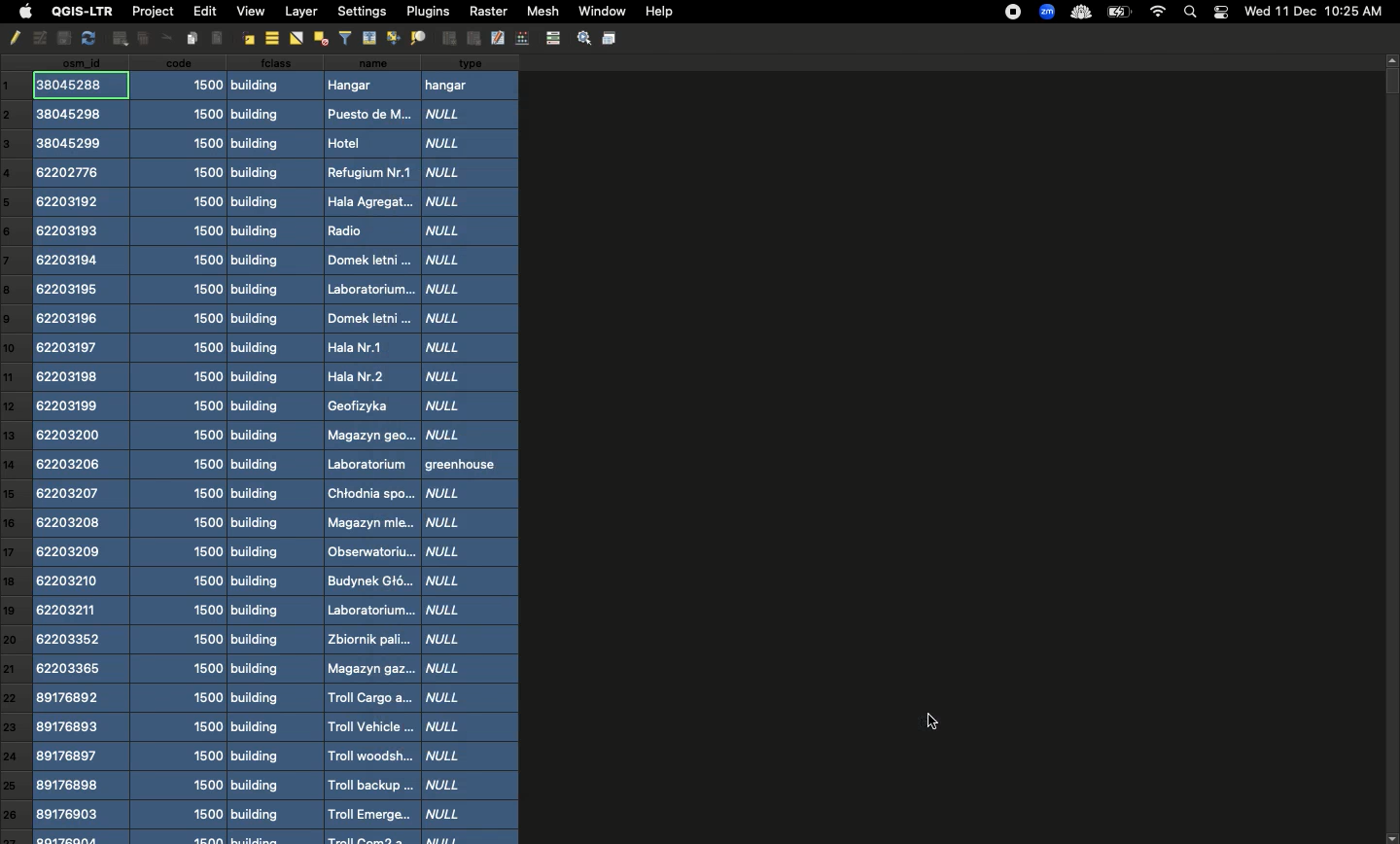 The height and width of the screenshot is (844, 1400). I want to click on code, so click(183, 449).